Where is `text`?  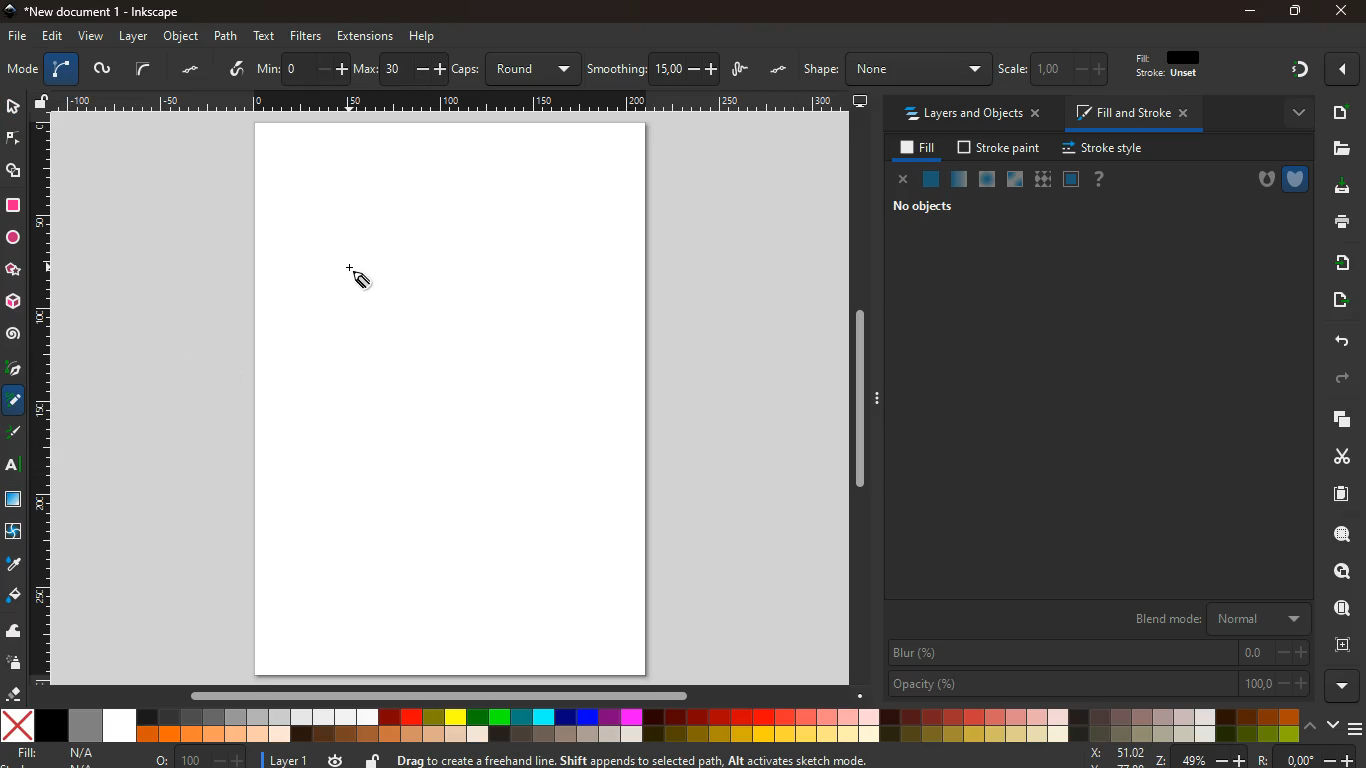 text is located at coordinates (266, 36).